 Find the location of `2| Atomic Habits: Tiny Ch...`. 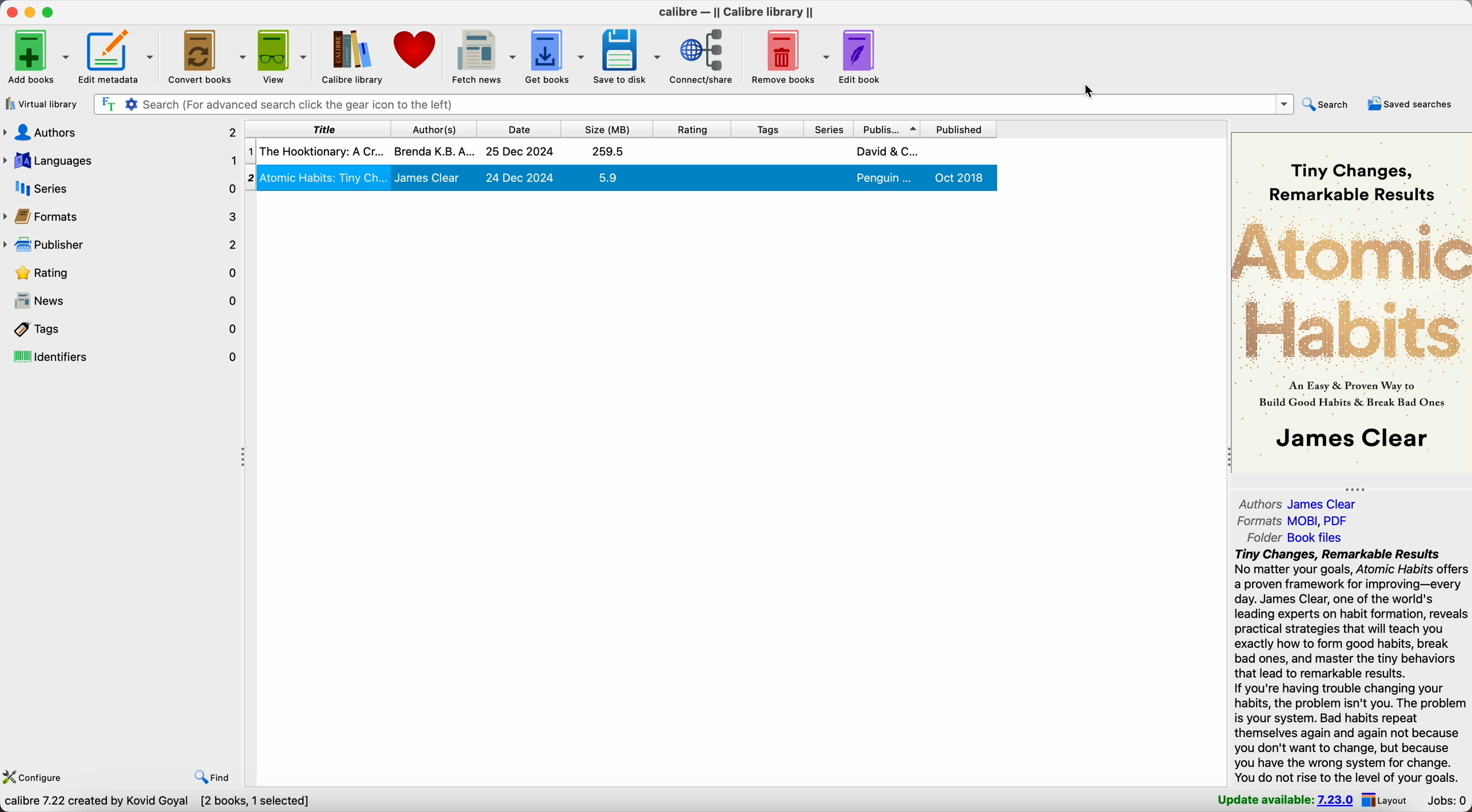

2| Atomic Habits: Tiny Ch... is located at coordinates (325, 177).